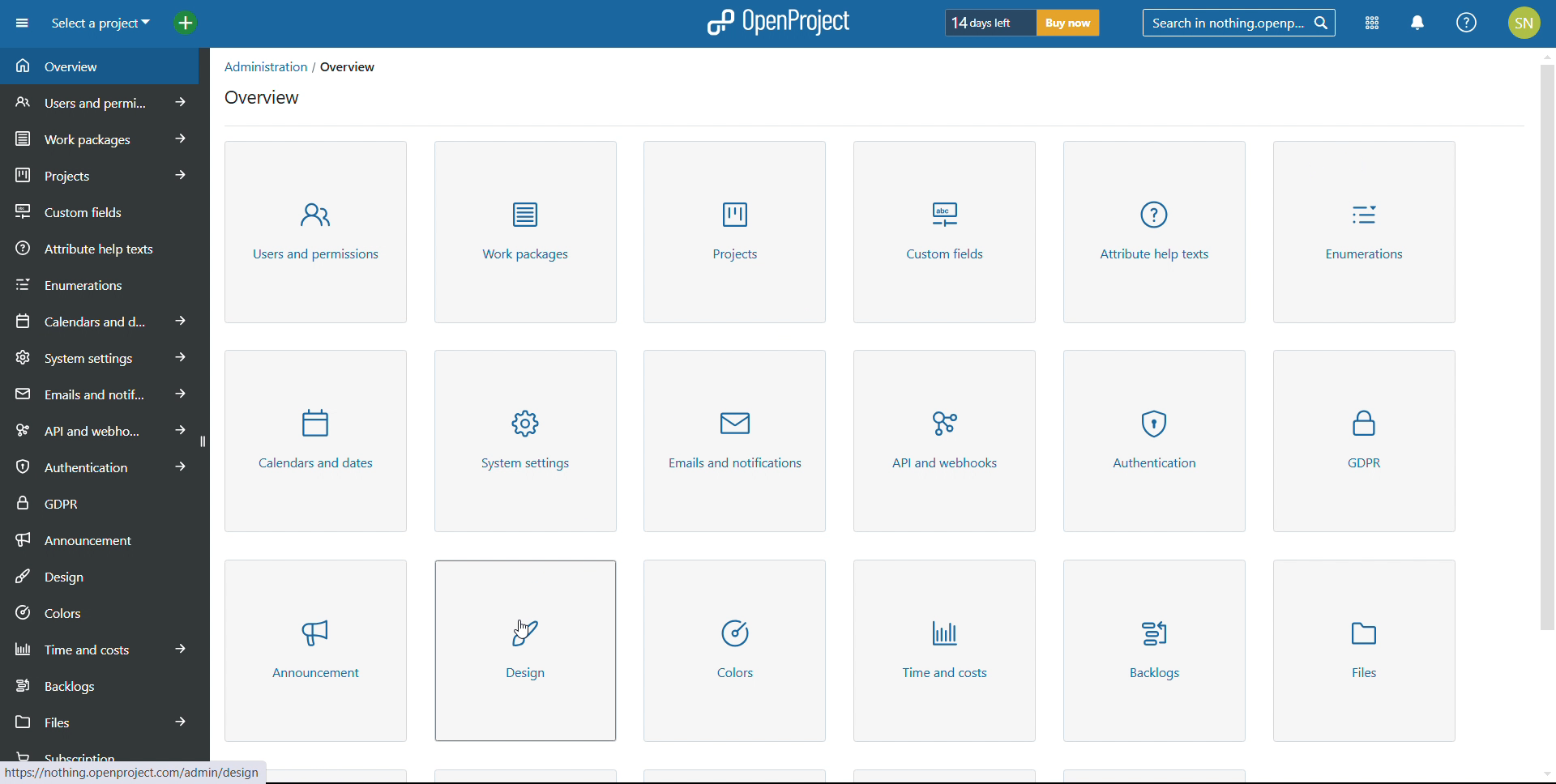  What do you see at coordinates (1527, 21) in the screenshot?
I see `SN` at bounding box center [1527, 21].